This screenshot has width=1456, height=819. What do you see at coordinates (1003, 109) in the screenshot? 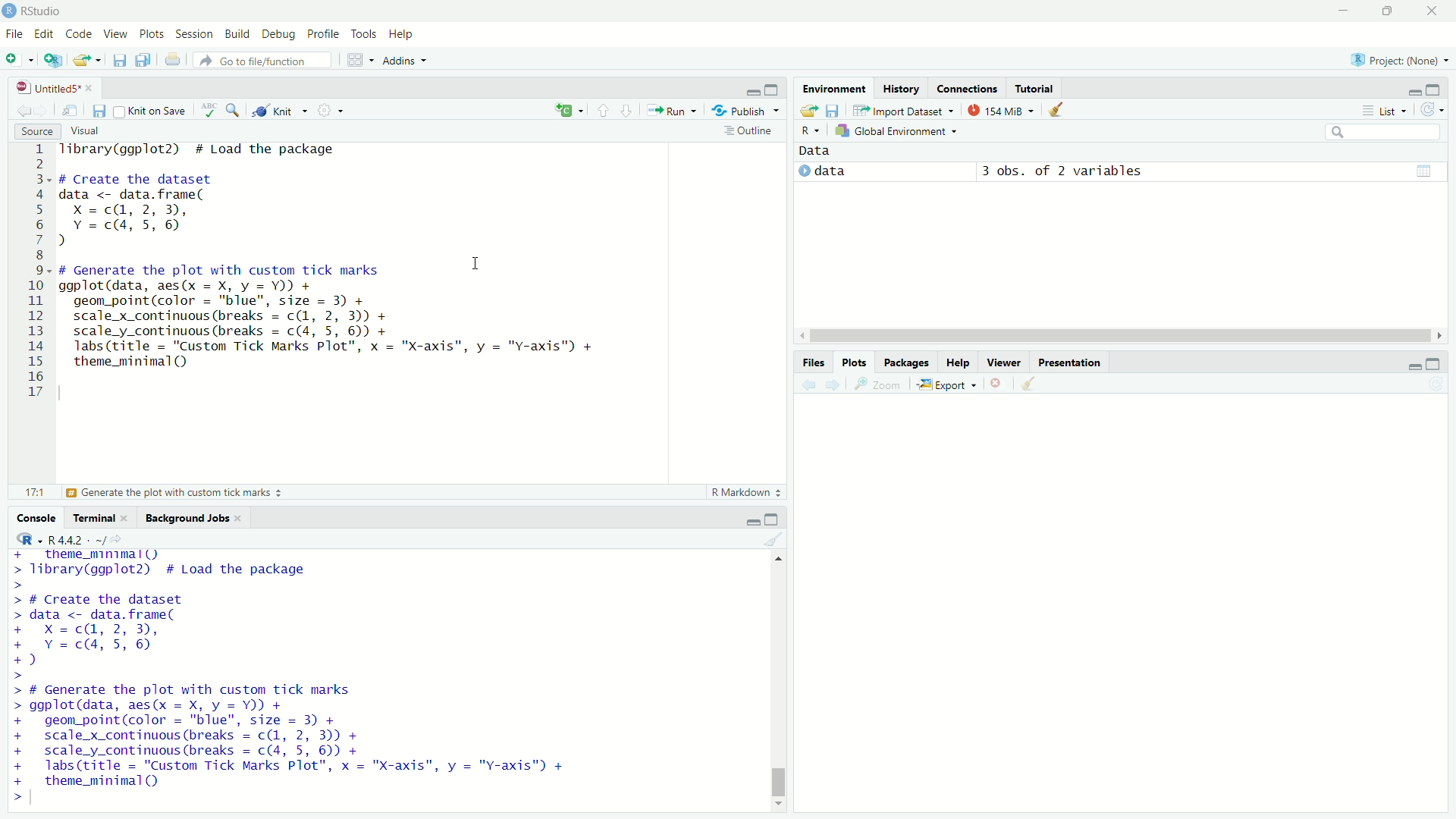
I see `154 MiB` at bounding box center [1003, 109].